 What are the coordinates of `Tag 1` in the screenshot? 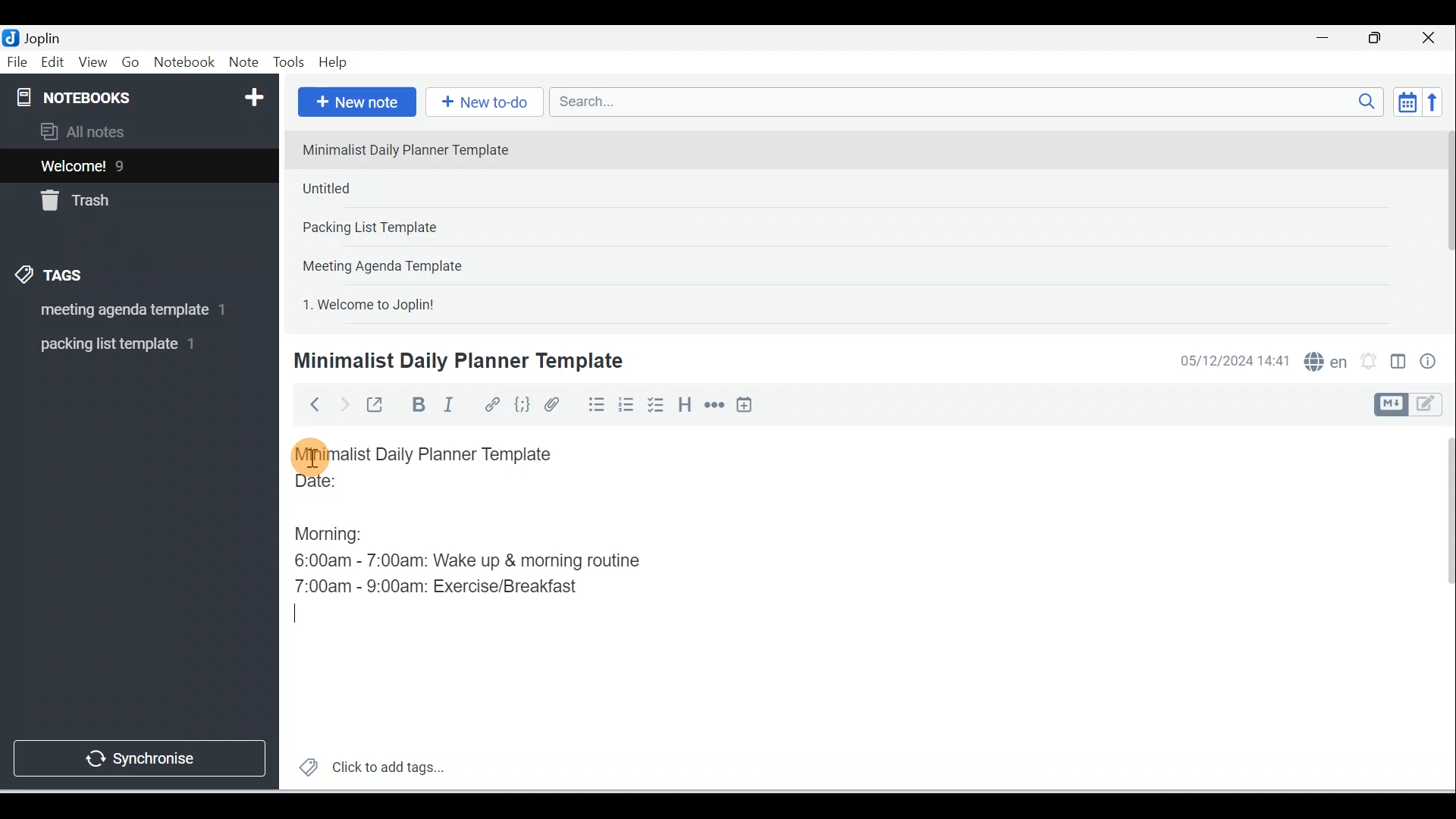 It's located at (119, 311).